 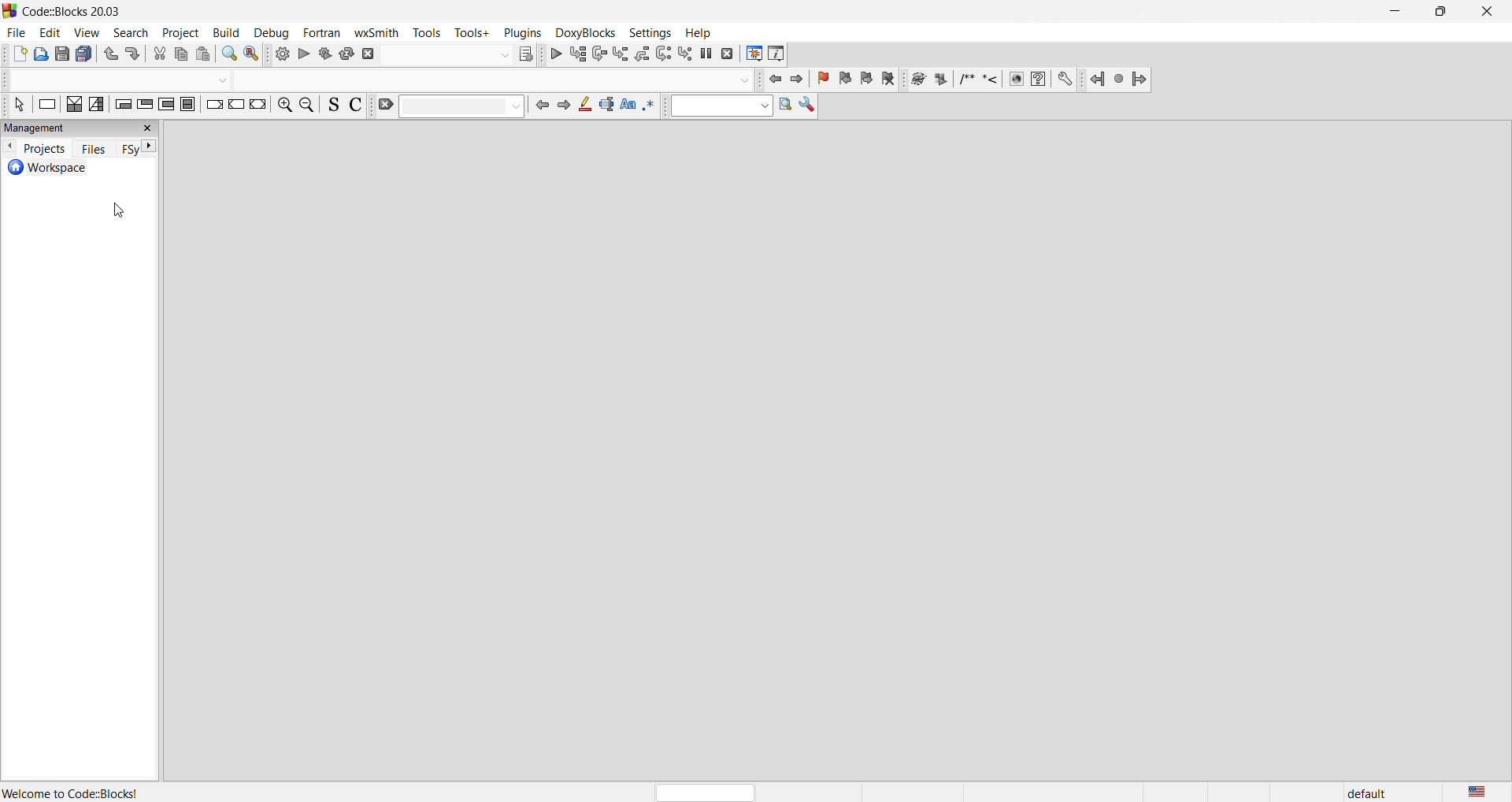 What do you see at coordinates (237, 106) in the screenshot?
I see `continue instruction` at bounding box center [237, 106].